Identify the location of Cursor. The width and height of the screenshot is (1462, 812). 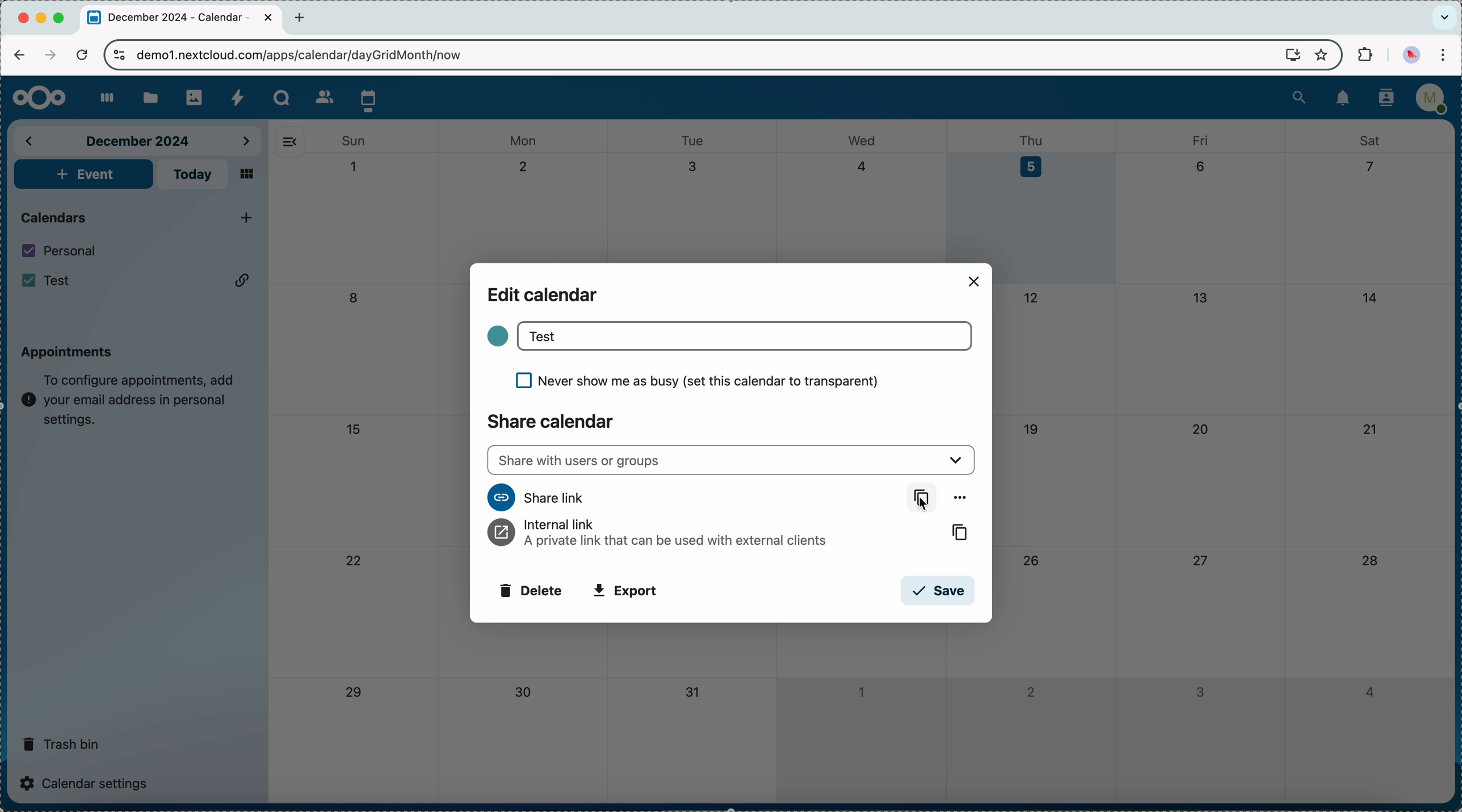
(921, 503).